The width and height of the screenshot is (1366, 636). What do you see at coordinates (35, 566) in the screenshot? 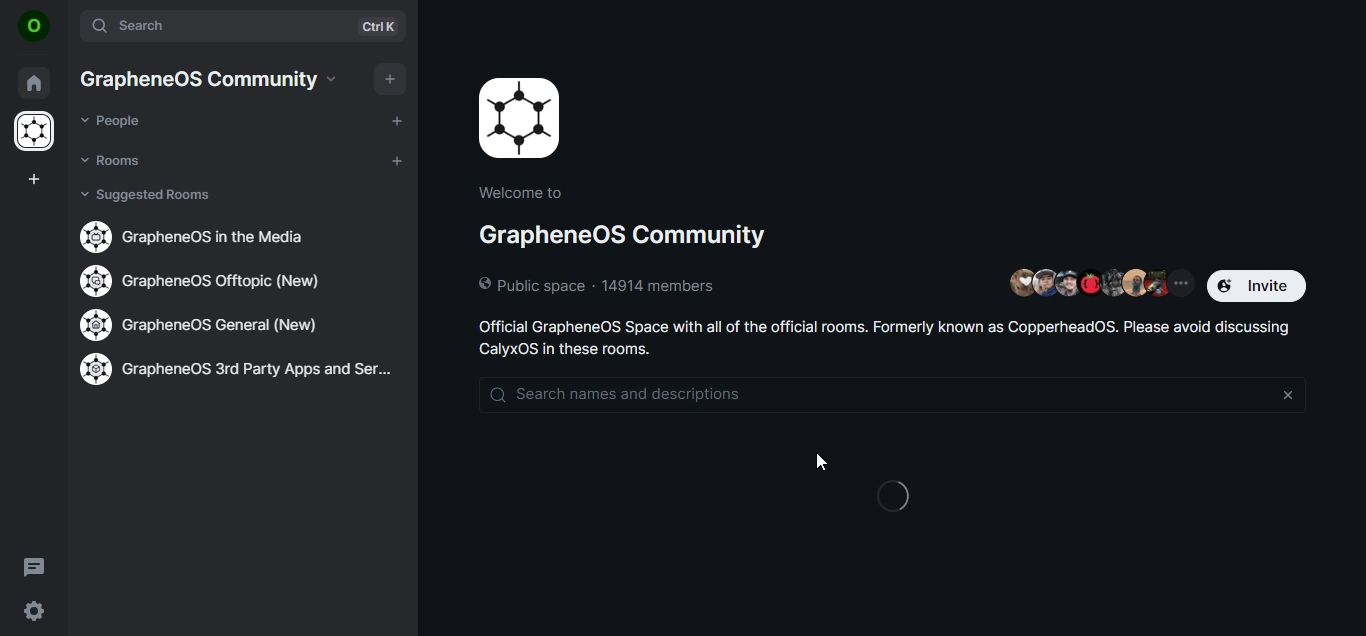
I see `threads` at bounding box center [35, 566].